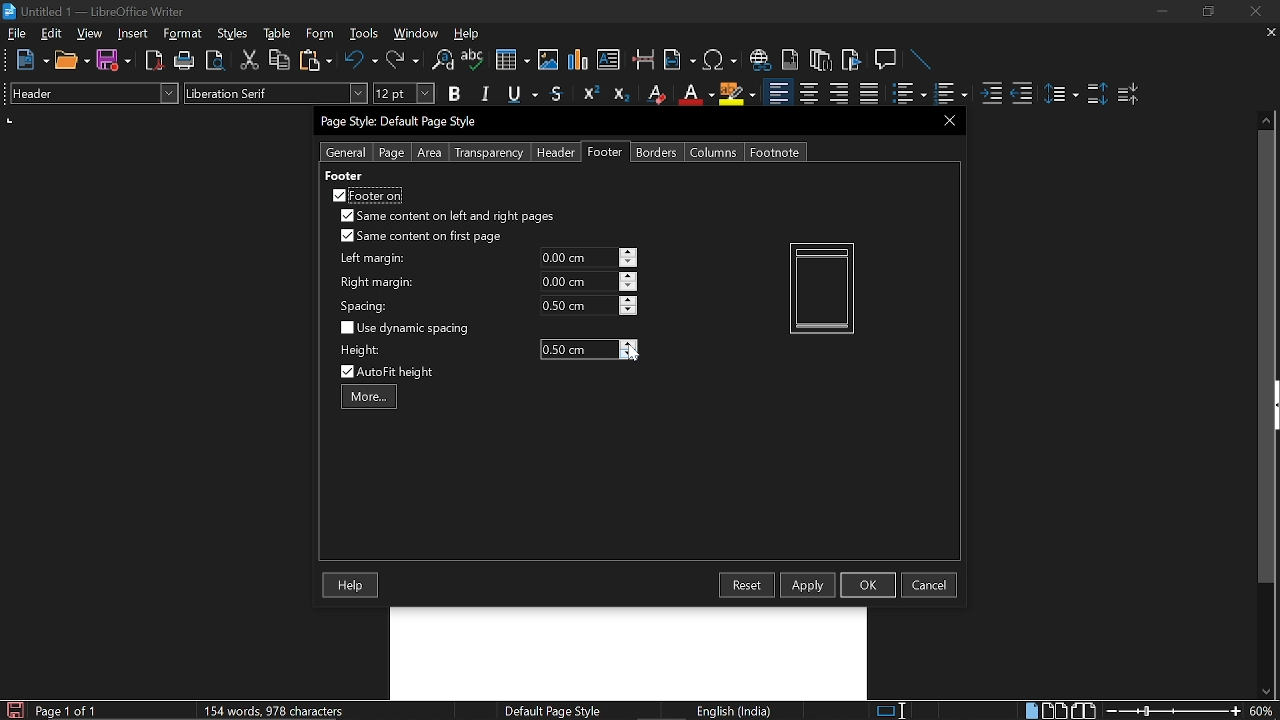 This screenshot has height=720, width=1280. What do you see at coordinates (155, 62) in the screenshot?
I see `export as PDF` at bounding box center [155, 62].